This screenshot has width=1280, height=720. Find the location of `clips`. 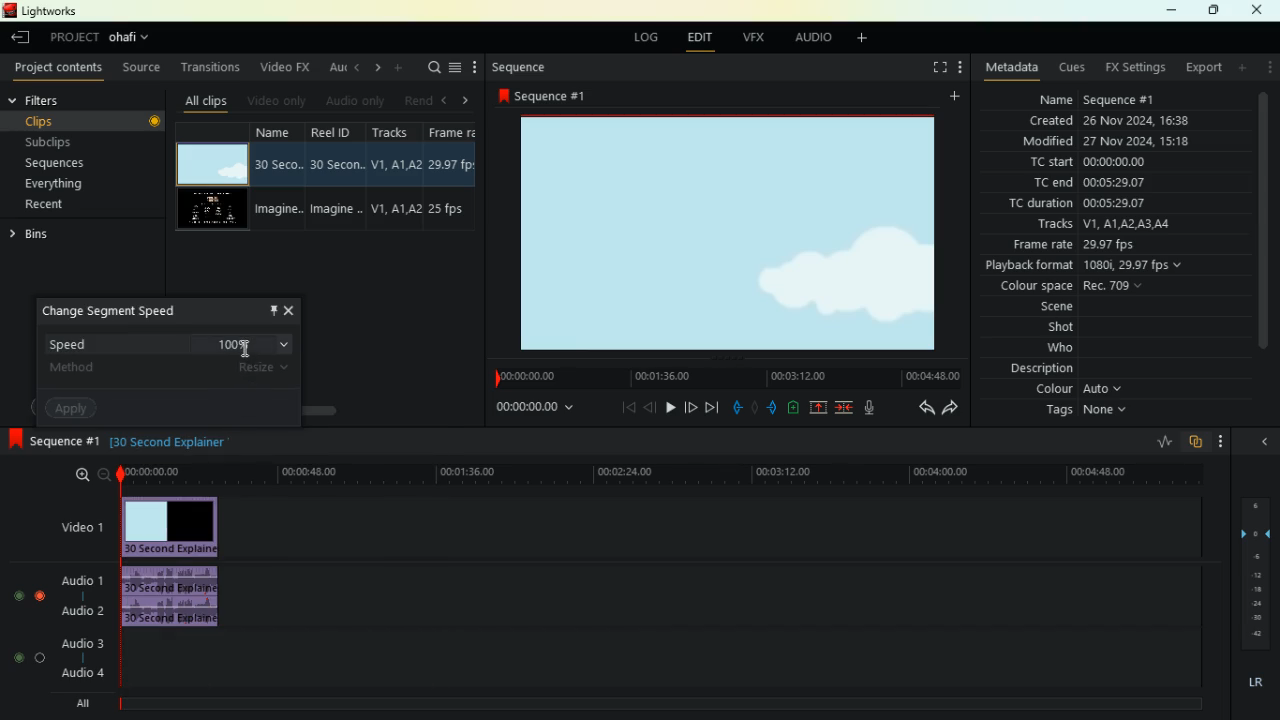

clips is located at coordinates (63, 121).